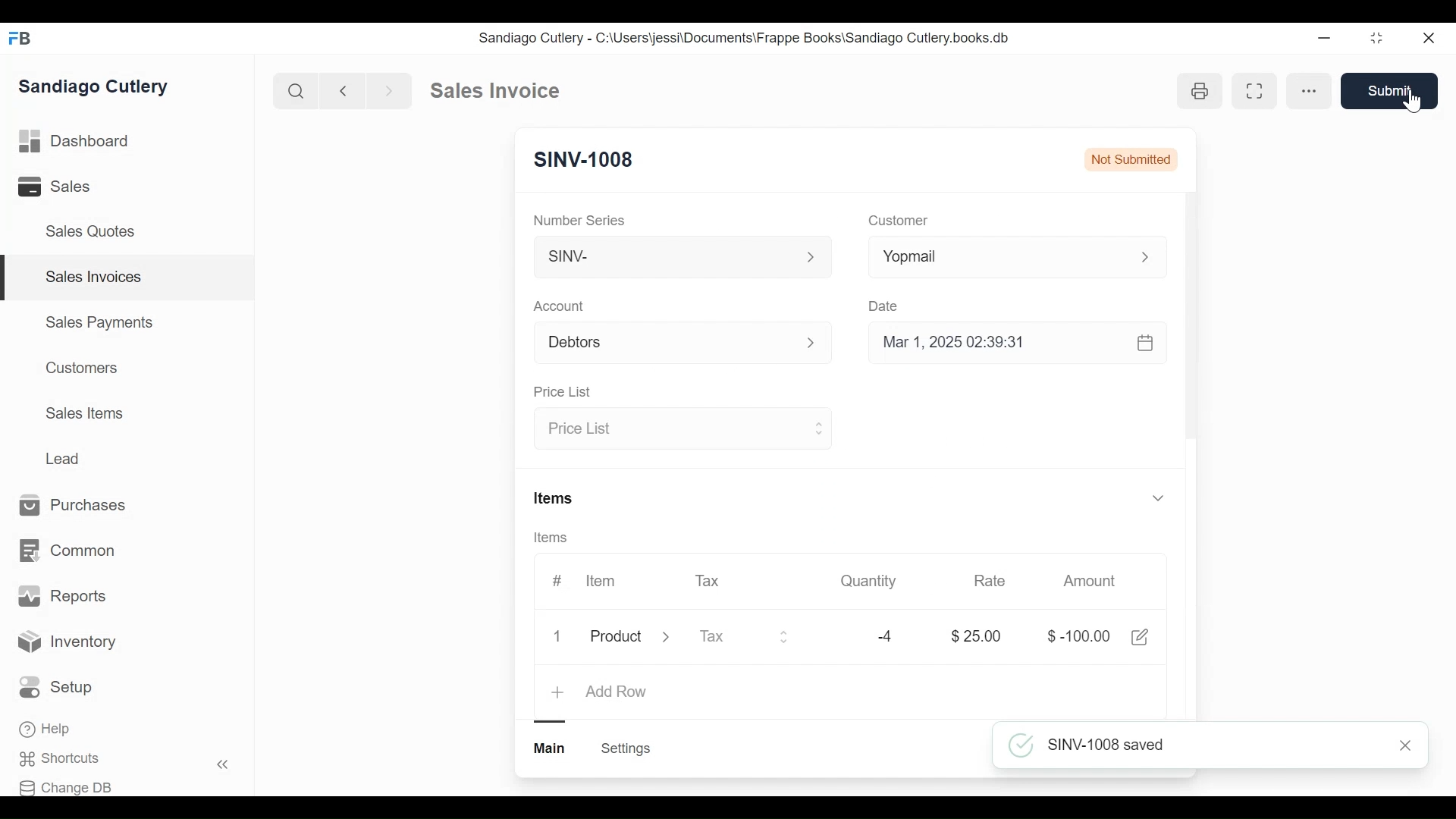  What do you see at coordinates (901, 219) in the screenshot?
I see `Customer` at bounding box center [901, 219].